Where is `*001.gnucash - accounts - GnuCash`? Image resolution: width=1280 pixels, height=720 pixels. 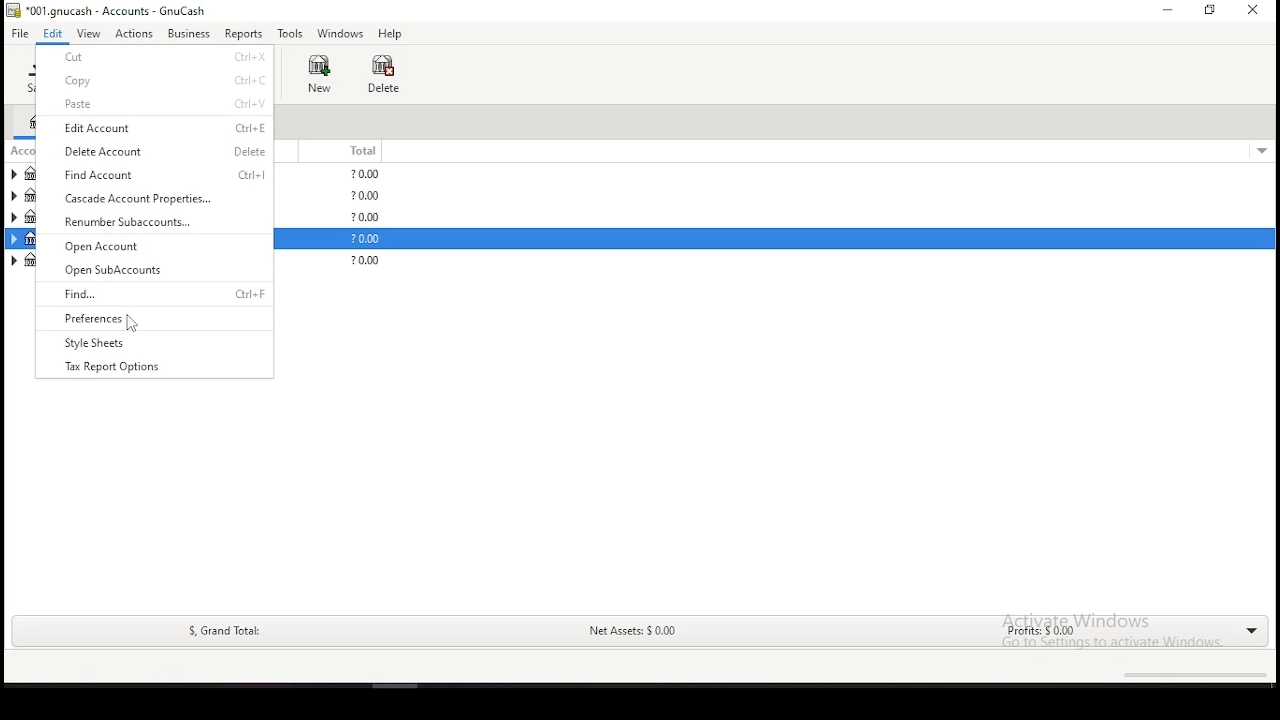
*001.gnucash - accounts - GnuCash is located at coordinates (106, 11).